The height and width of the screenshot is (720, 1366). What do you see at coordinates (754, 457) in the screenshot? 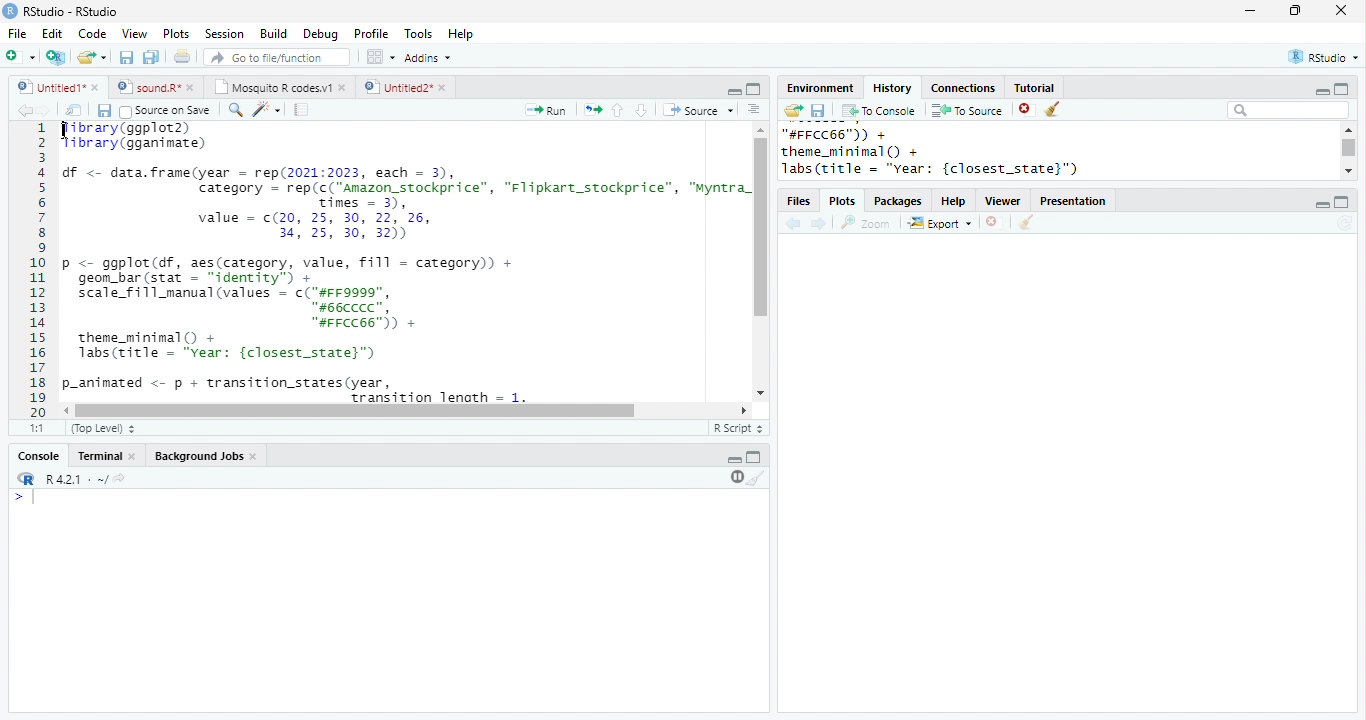
I see `Maximize` at bounding box center [754, 457].